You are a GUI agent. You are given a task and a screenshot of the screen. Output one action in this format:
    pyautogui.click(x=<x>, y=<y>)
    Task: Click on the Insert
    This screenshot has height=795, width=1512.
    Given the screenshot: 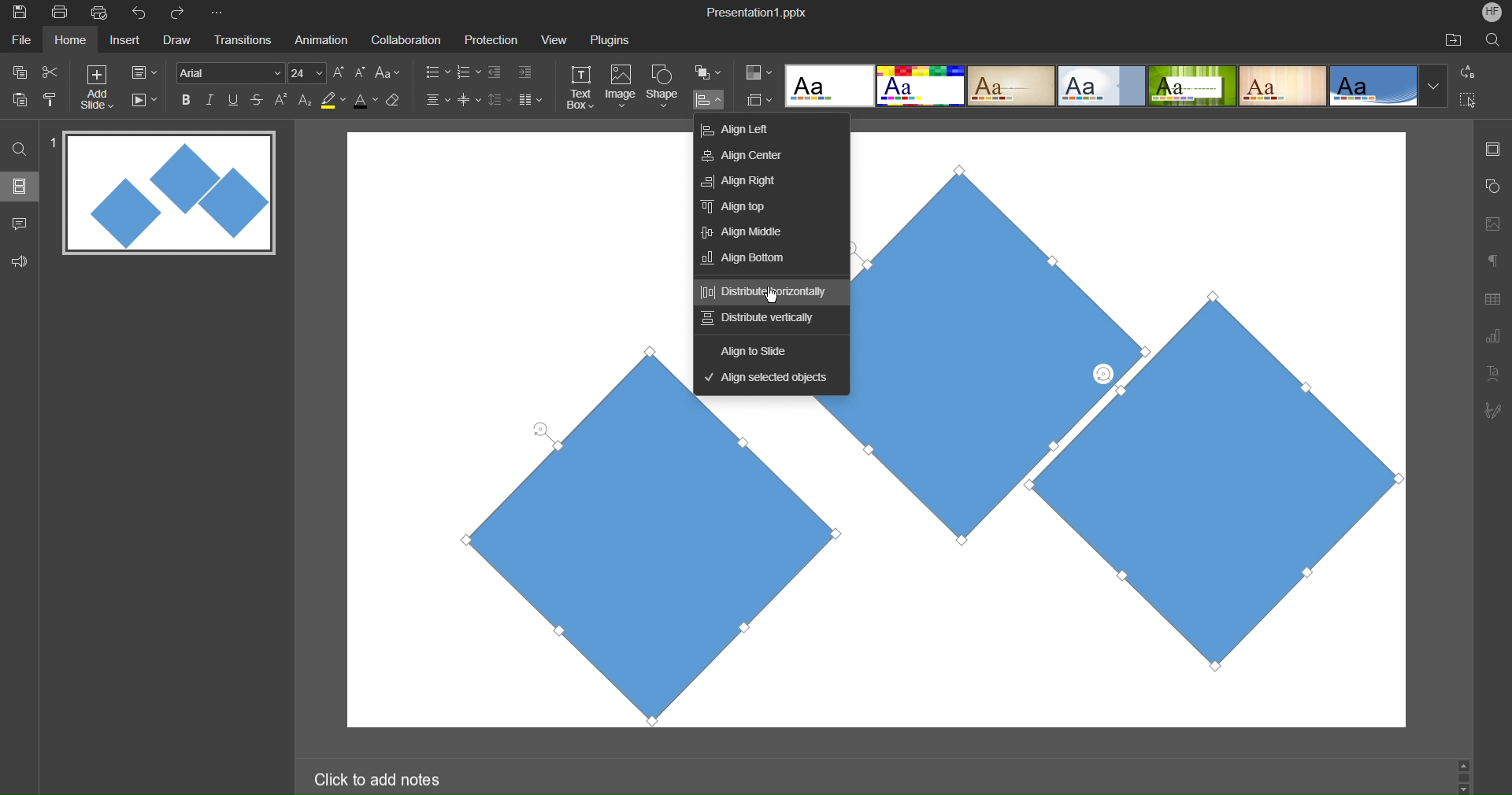 What is the action you would take?
    pyautogui.click(x=123, y=41)
    